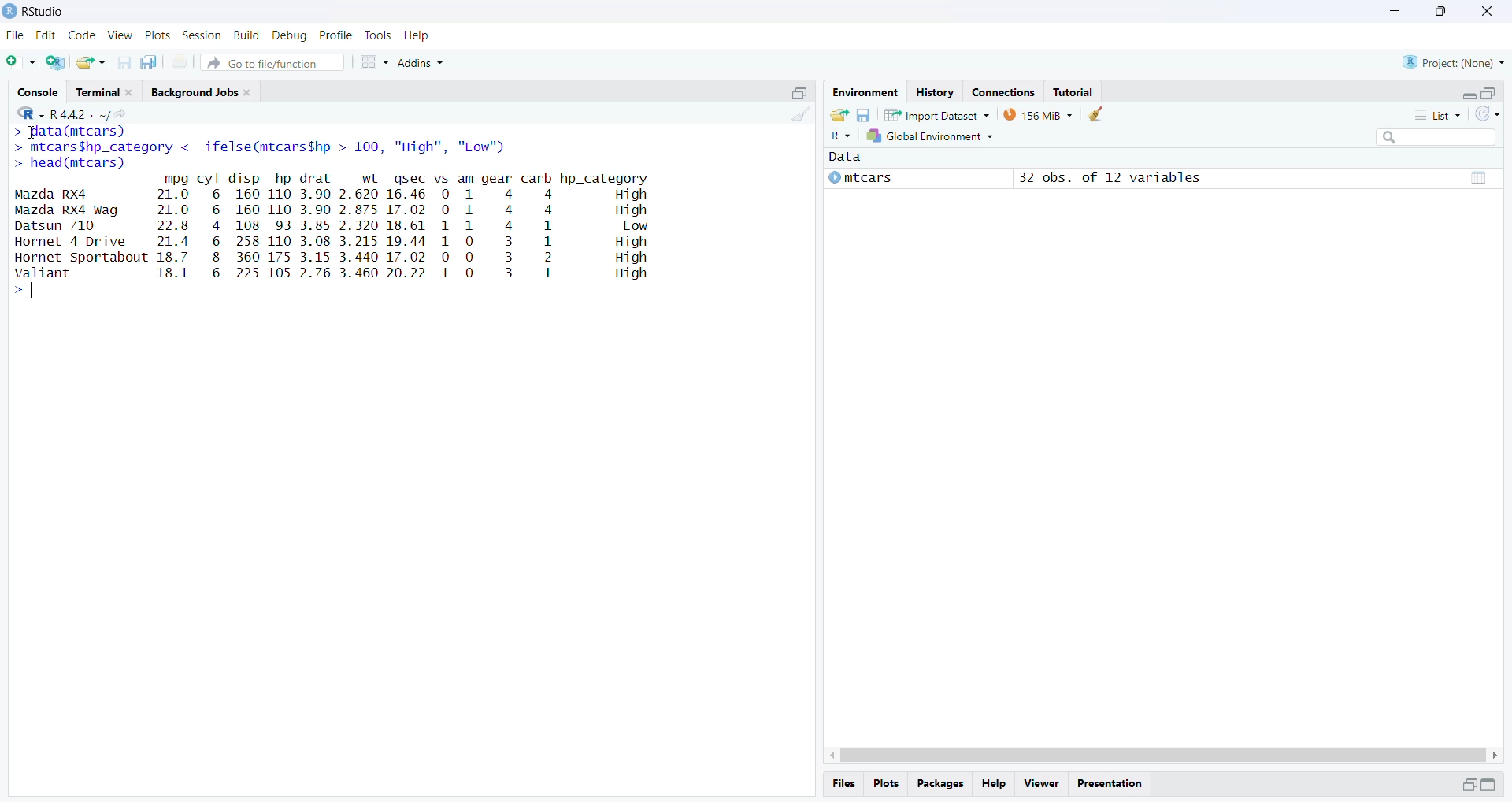  I want to click on Maximize, so click(1489, 91).